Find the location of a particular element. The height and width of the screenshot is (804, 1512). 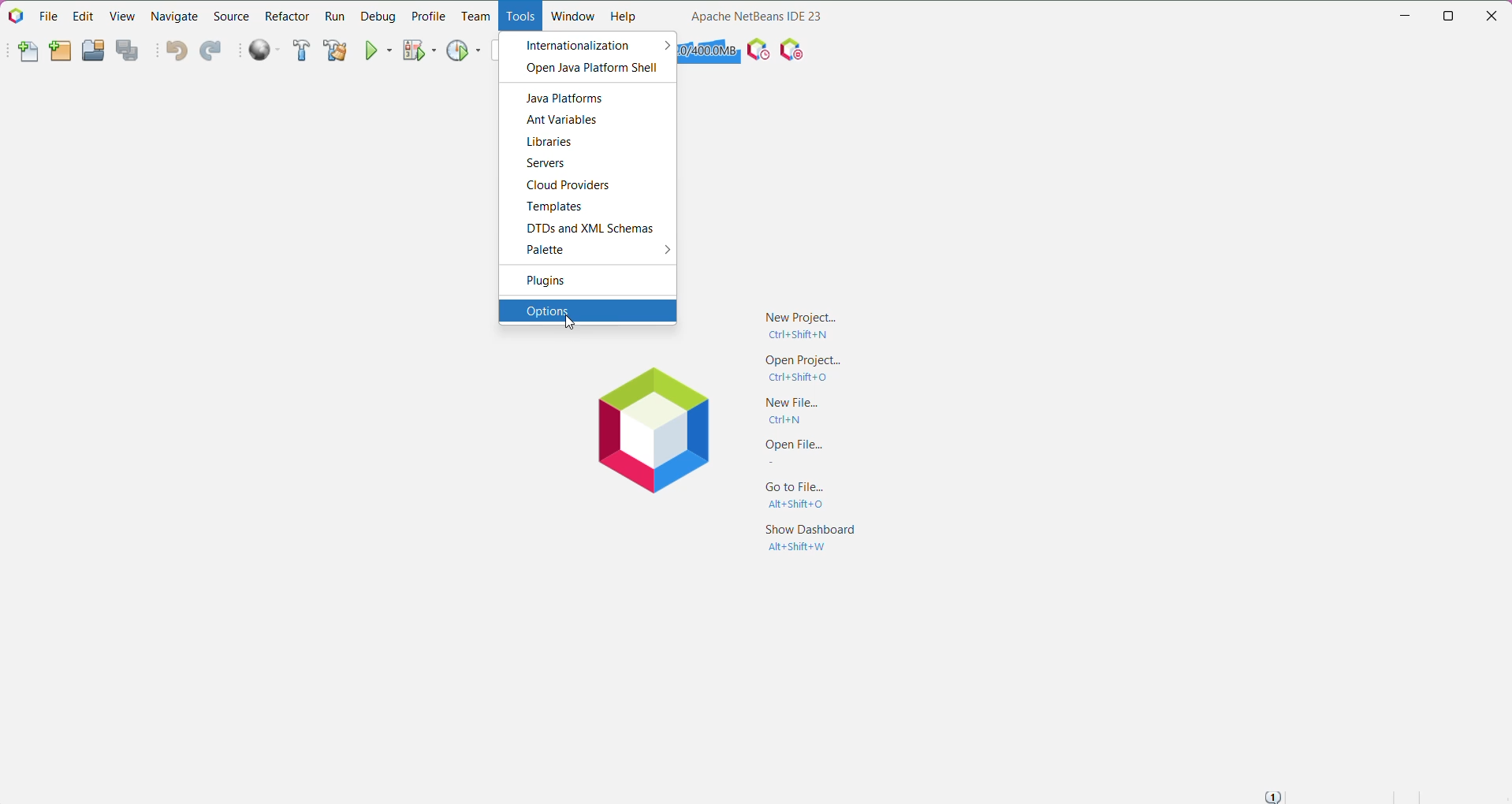

Java Platforms is located at coordinates (568, 99).